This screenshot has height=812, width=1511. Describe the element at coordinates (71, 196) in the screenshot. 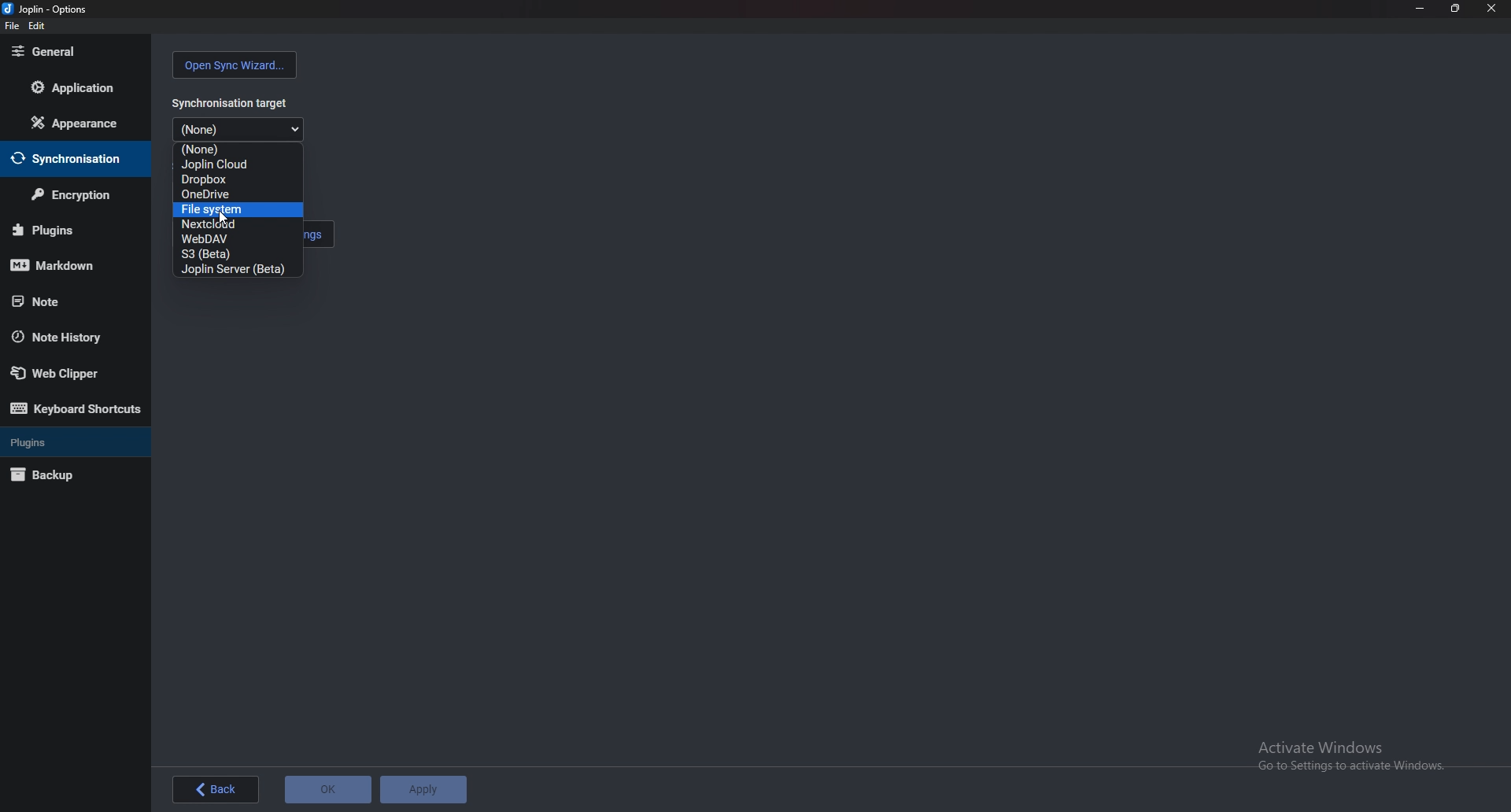

I see `Encryption` at that location.